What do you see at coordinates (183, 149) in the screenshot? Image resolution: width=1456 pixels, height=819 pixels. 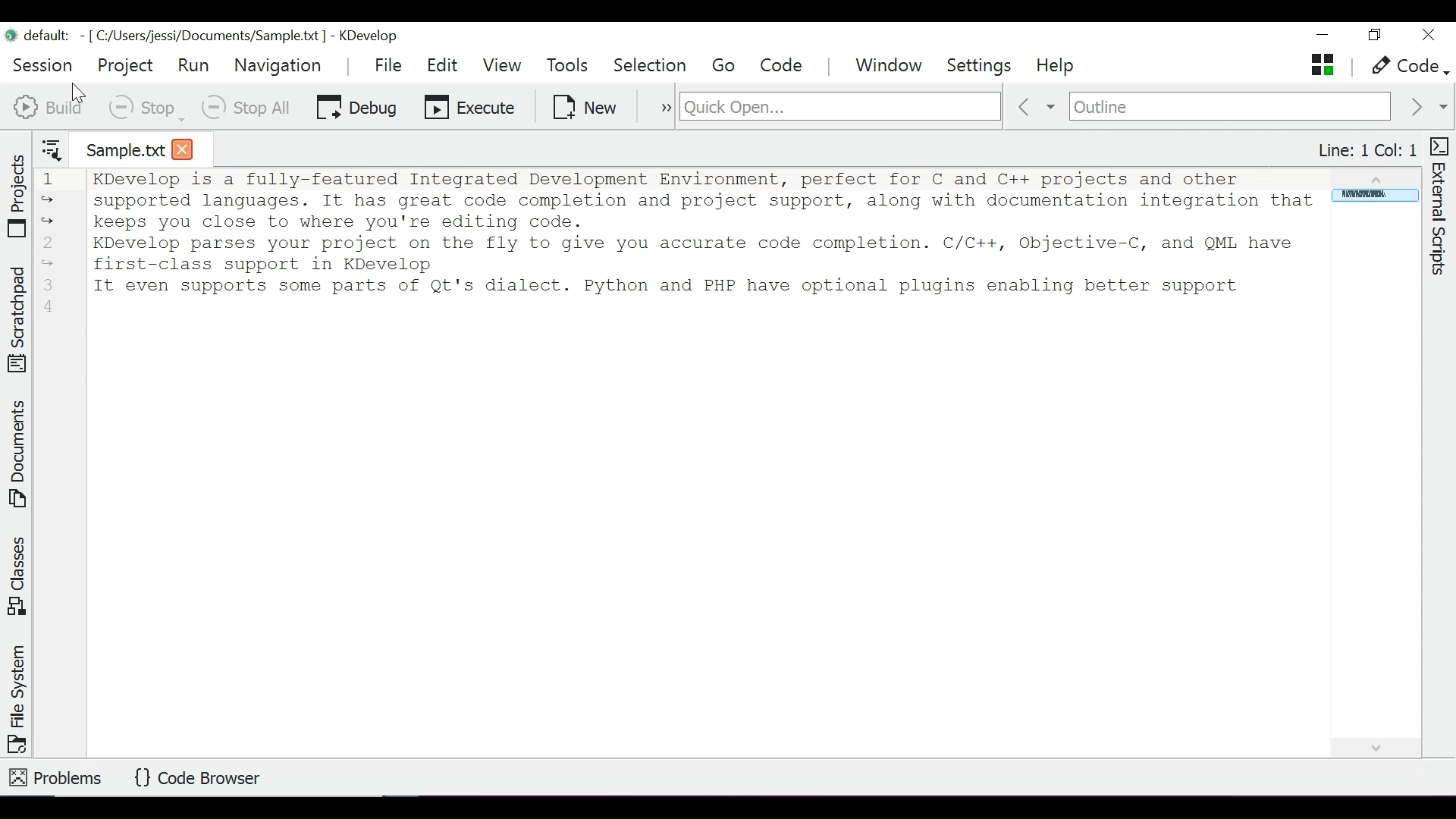 I see `Close` at bounding box center [183, 149].